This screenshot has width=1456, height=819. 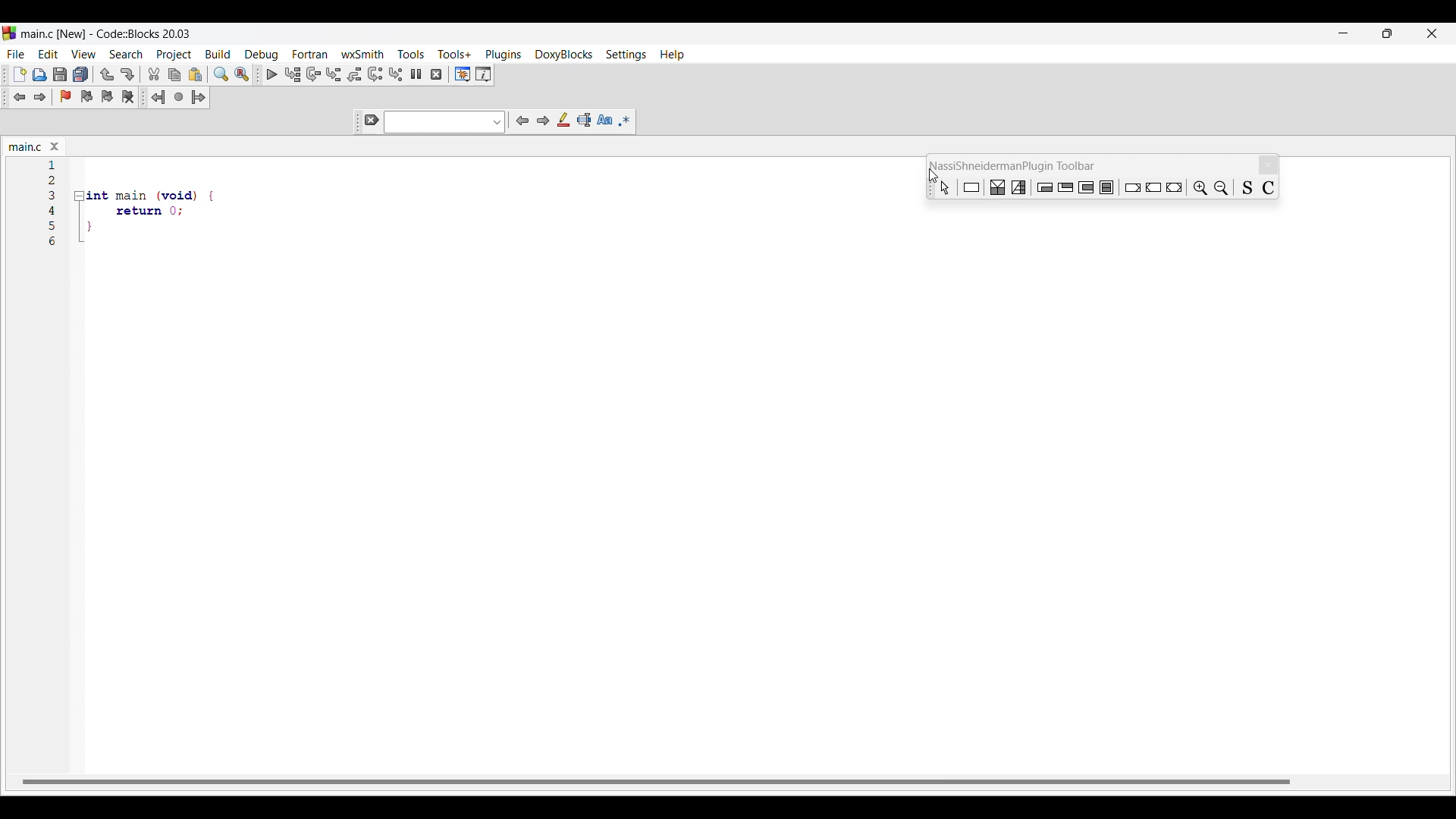 I want to click on Debug/Continue, so click(x=272, y=74).